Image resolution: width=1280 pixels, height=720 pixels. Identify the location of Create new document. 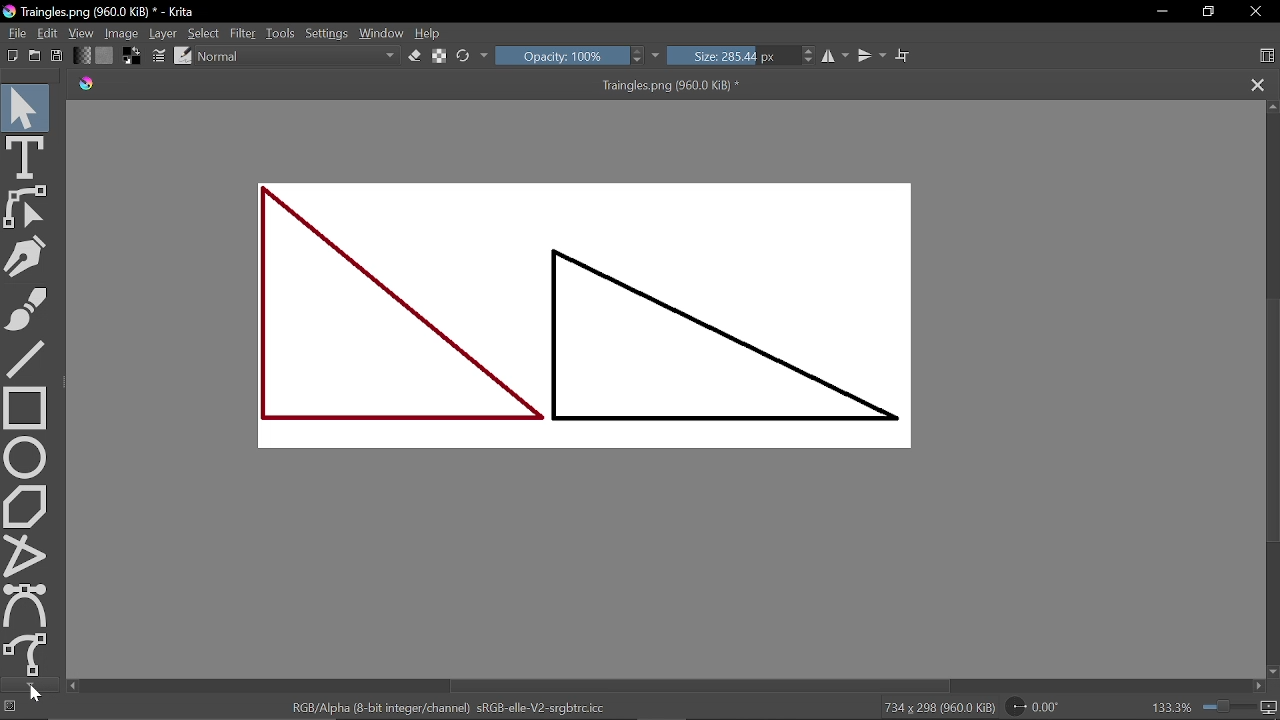
(13, 56).